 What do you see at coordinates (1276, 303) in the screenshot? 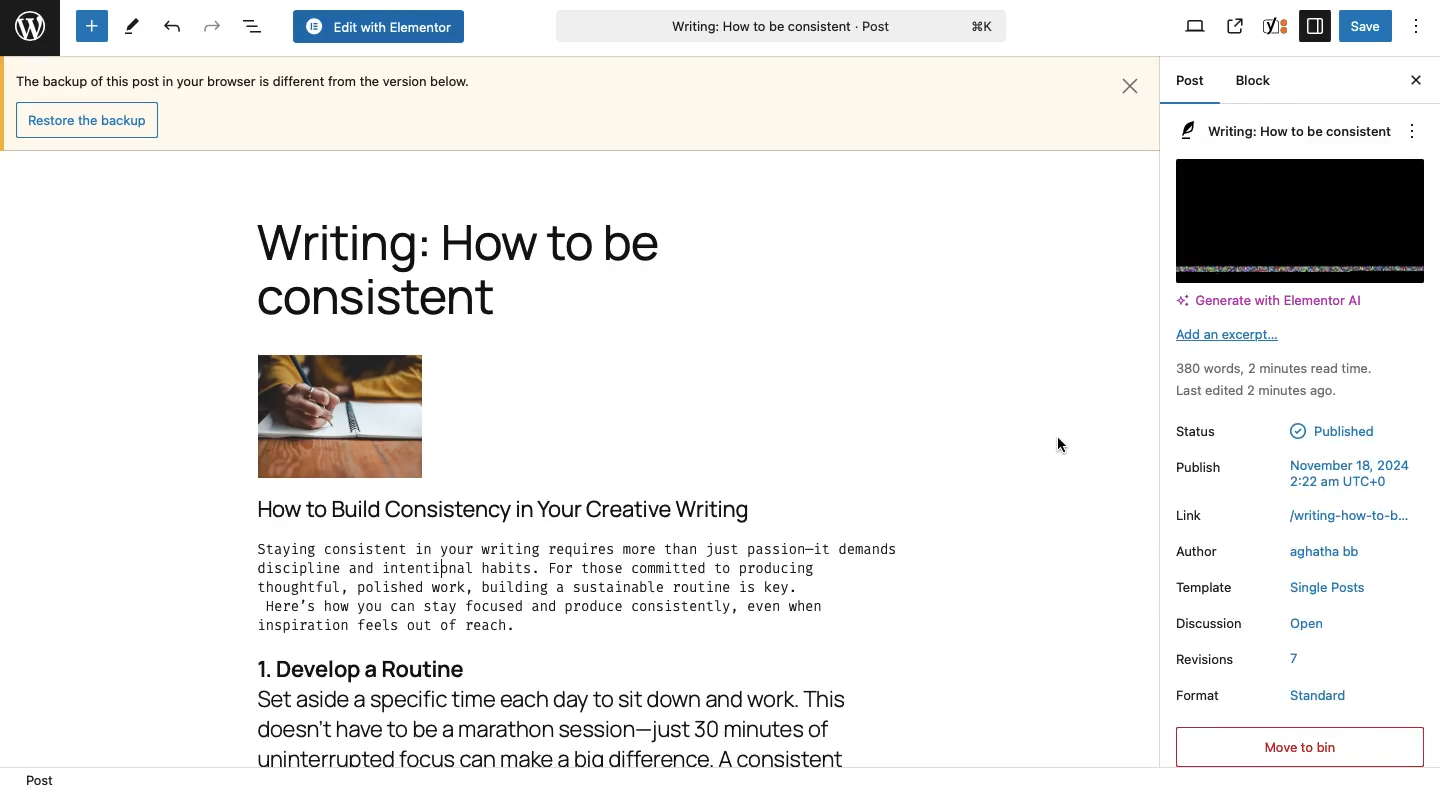
I see `Generate with Elementor AI` at bounding box center [1276, 303].